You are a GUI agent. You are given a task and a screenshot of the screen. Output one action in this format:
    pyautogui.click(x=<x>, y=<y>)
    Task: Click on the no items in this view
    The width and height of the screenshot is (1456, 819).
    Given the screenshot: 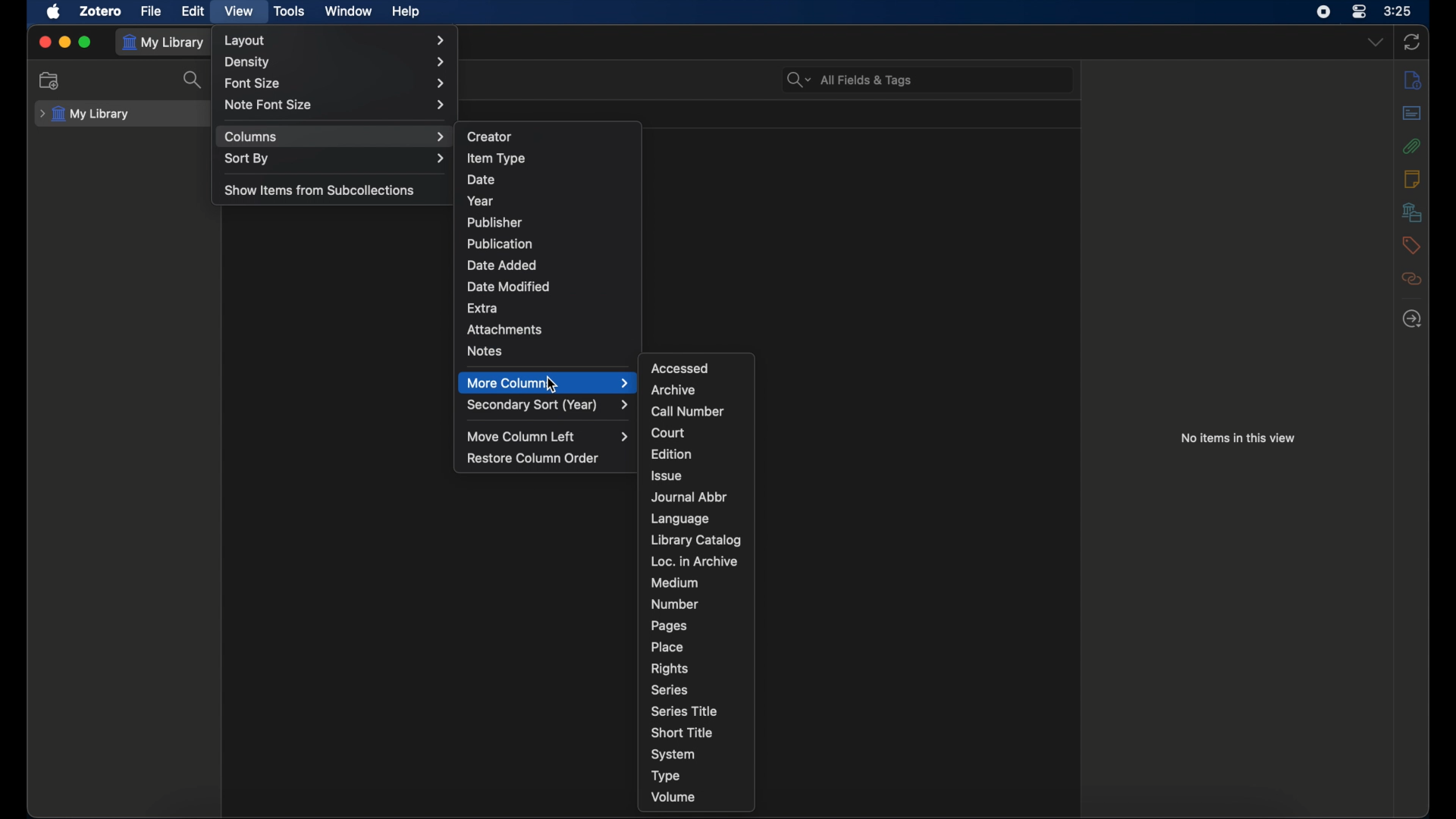 What is the action you would take?
    pyautogui.click(x=1238, y=437)
    